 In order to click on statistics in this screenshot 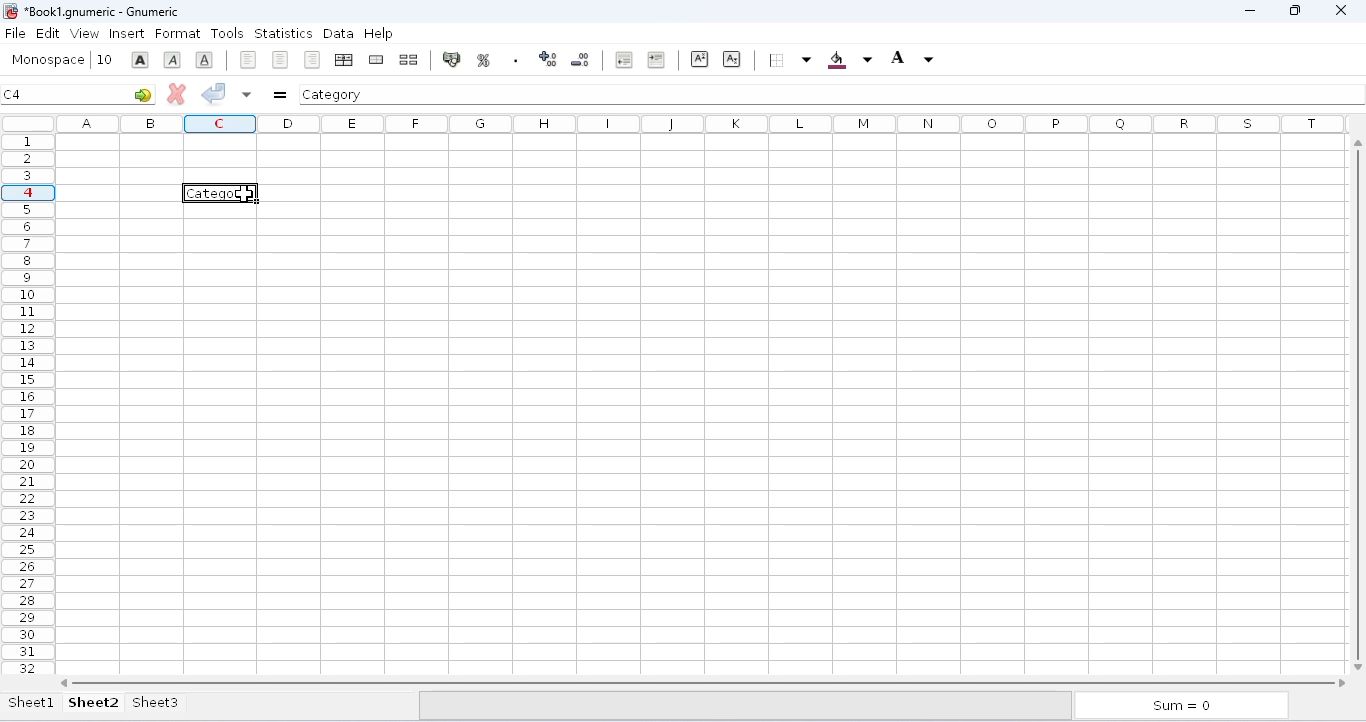, I will do `click(283, 34)`.